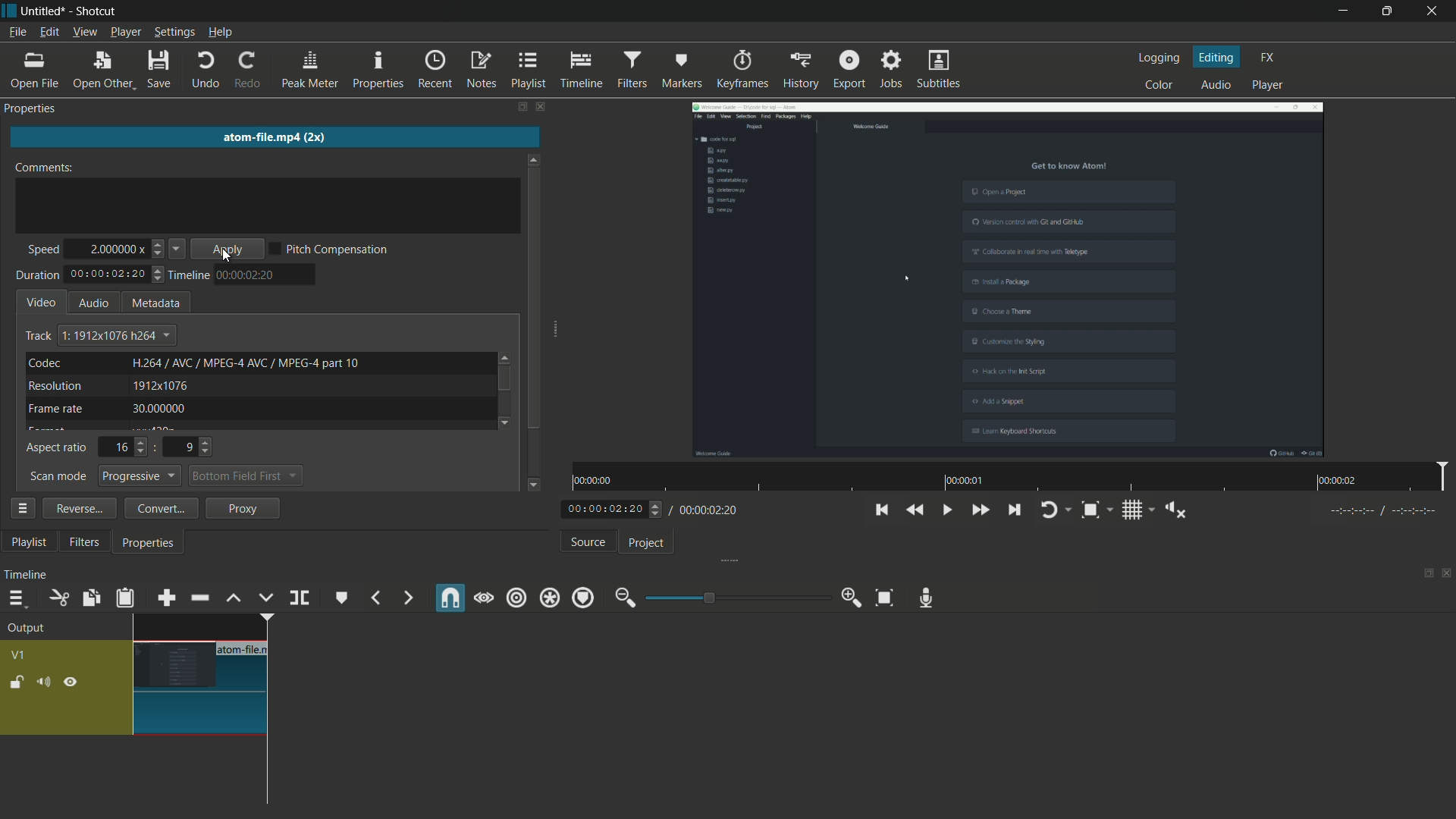  Describe the element at coordinates (17, 657) in the screenshot. I see `v1` at that location.